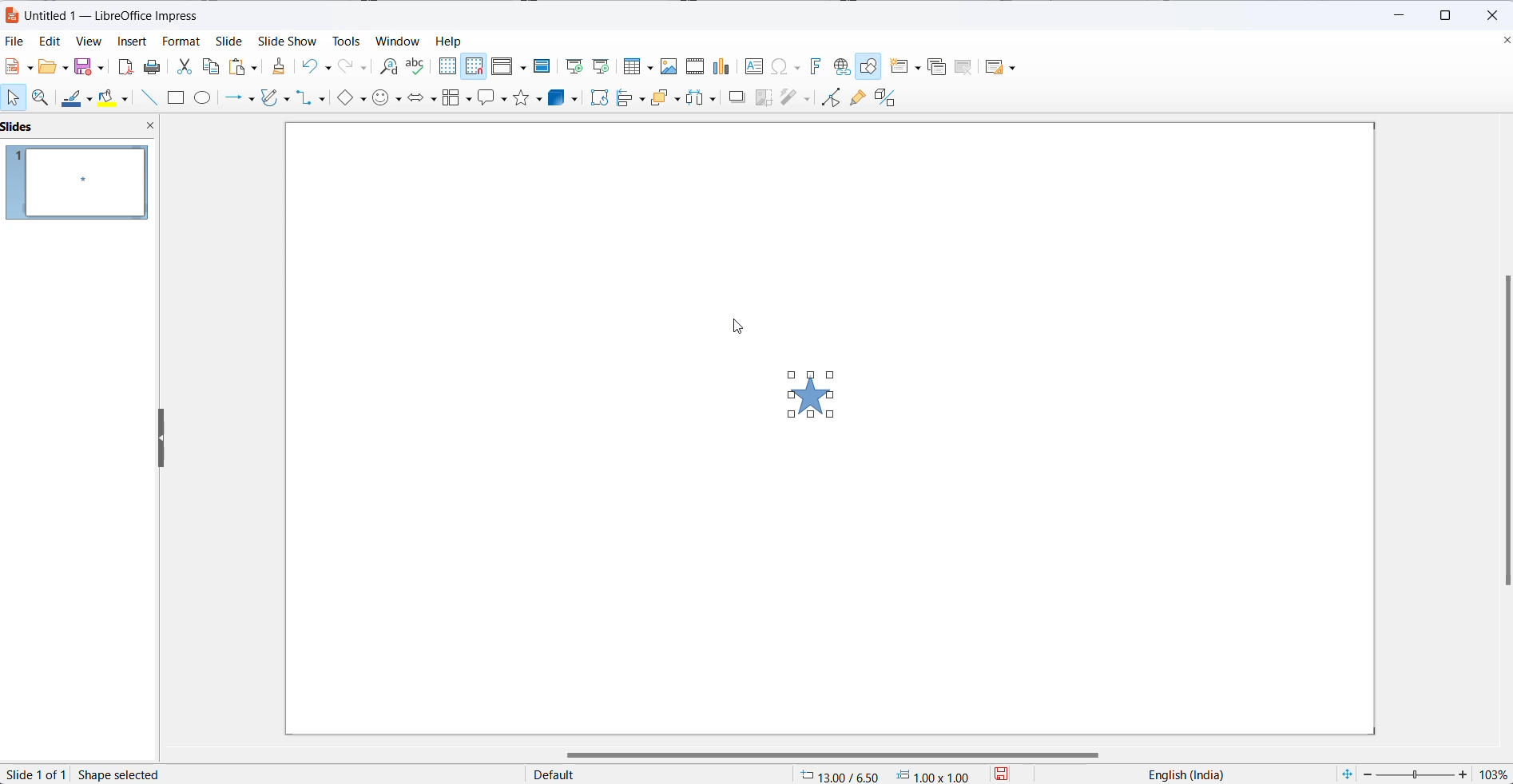 This screenshot has height=784, width=1513. What do you see at coordinates (565, 98) in the screenshot?
I see `3d objects` at bounding box center [565, 98].